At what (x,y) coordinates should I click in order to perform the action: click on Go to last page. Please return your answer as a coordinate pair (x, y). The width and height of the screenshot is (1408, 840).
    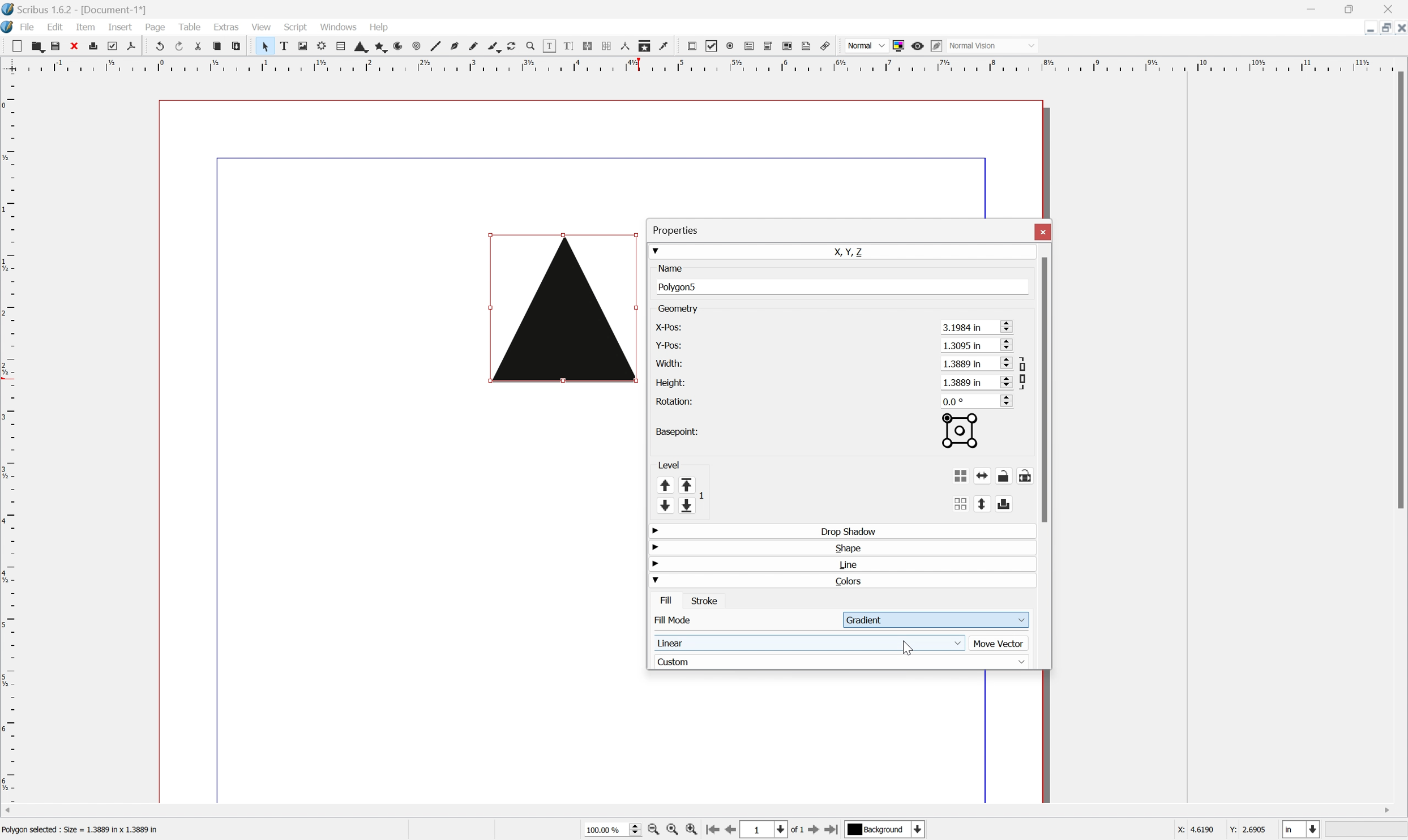
    Looking at the image, I should click on (833, 830).